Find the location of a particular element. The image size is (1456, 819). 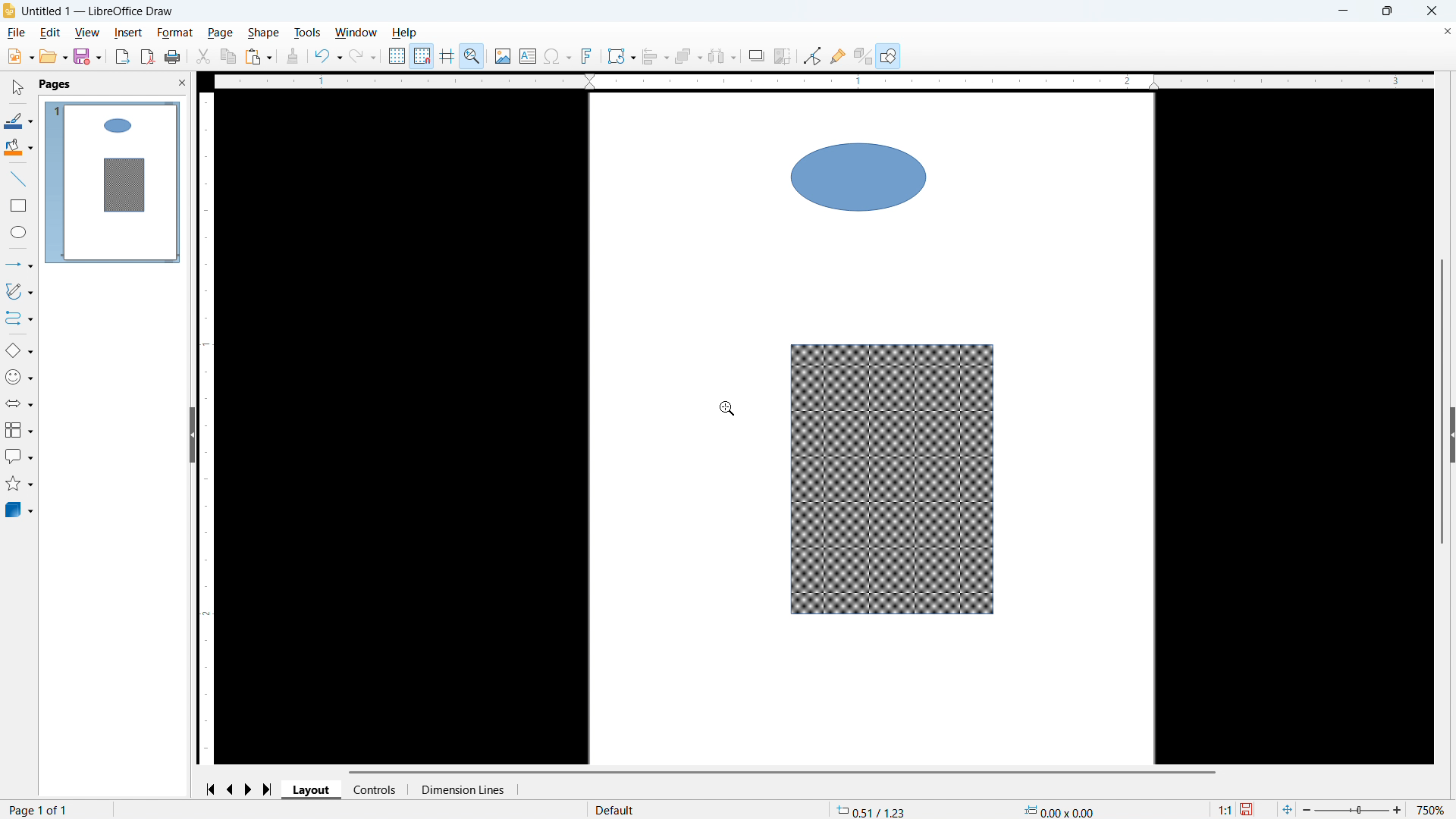

Toggle extrusion  is located at coordinates (864, 55).